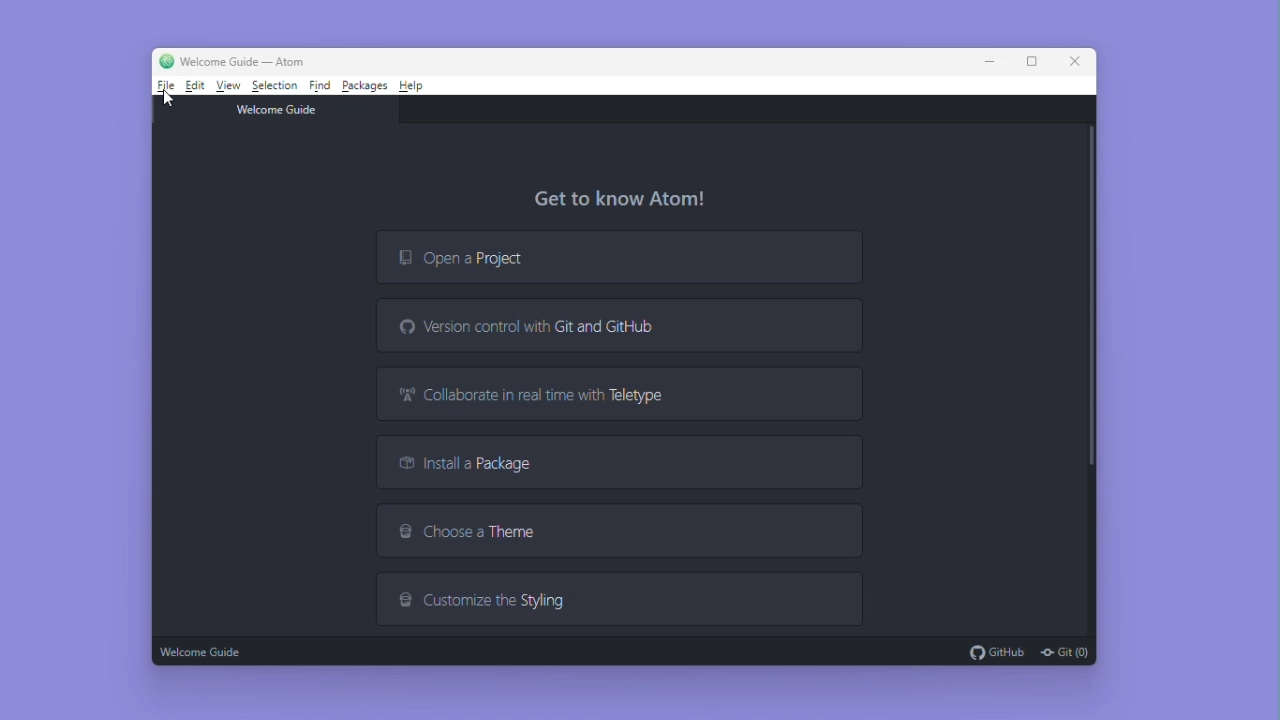  I want to click on Git (0), so click(1064, 652).